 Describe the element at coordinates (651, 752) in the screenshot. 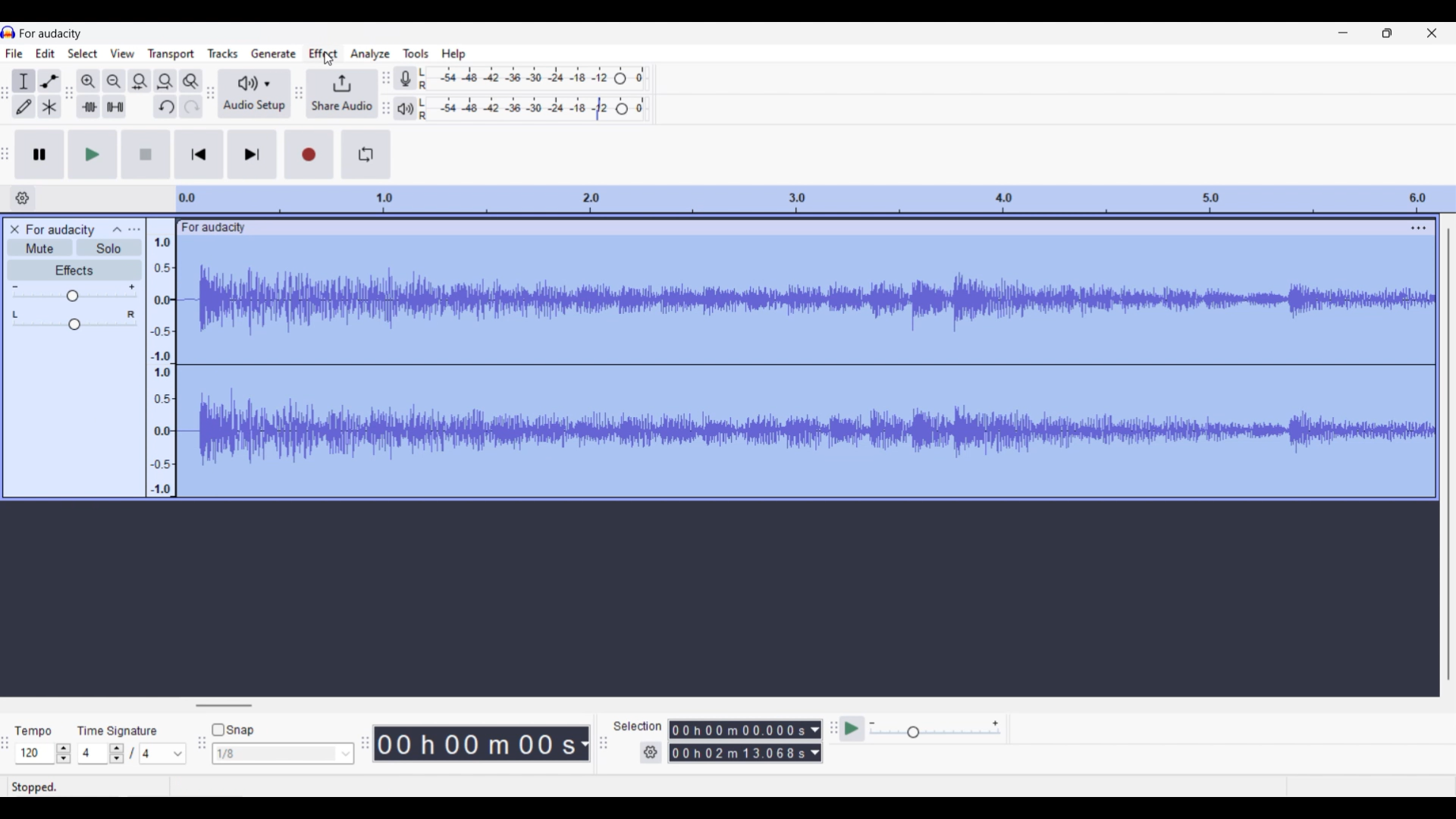

I see `Settings` at that location.